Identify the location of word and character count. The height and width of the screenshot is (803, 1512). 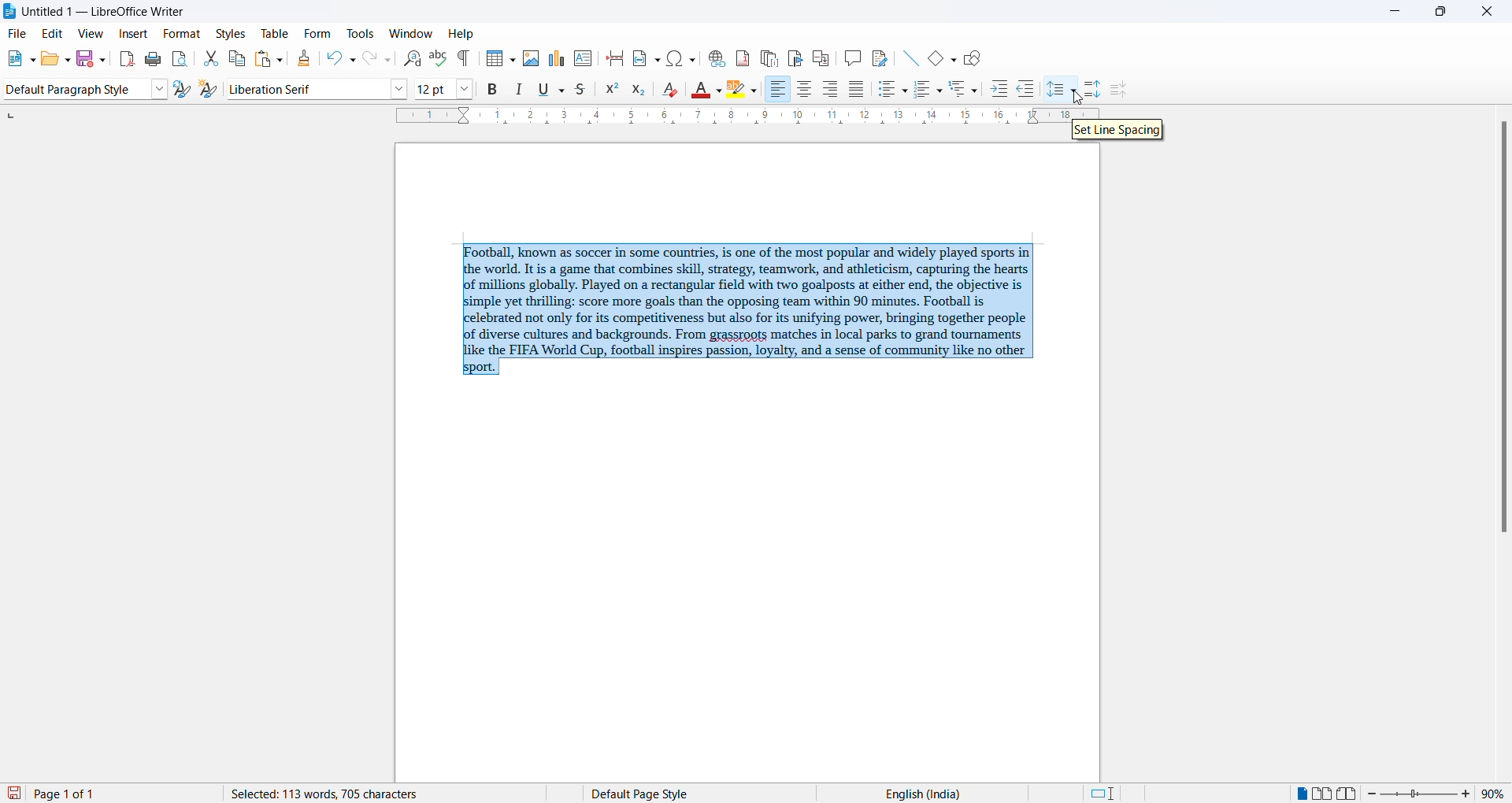
(339, 794).